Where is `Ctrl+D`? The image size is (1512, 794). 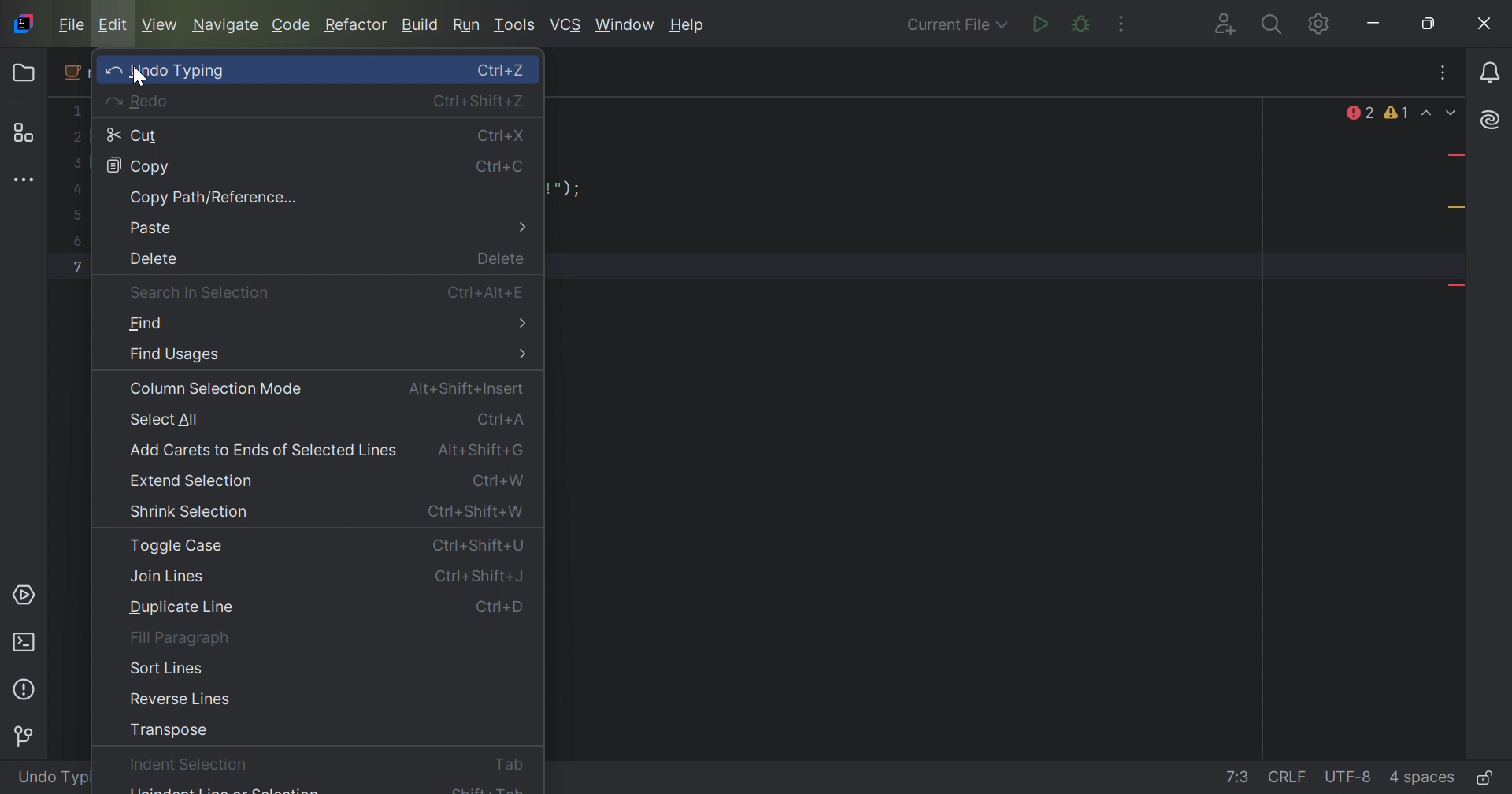 Ctrl+D is located at coordinates (497, 607).